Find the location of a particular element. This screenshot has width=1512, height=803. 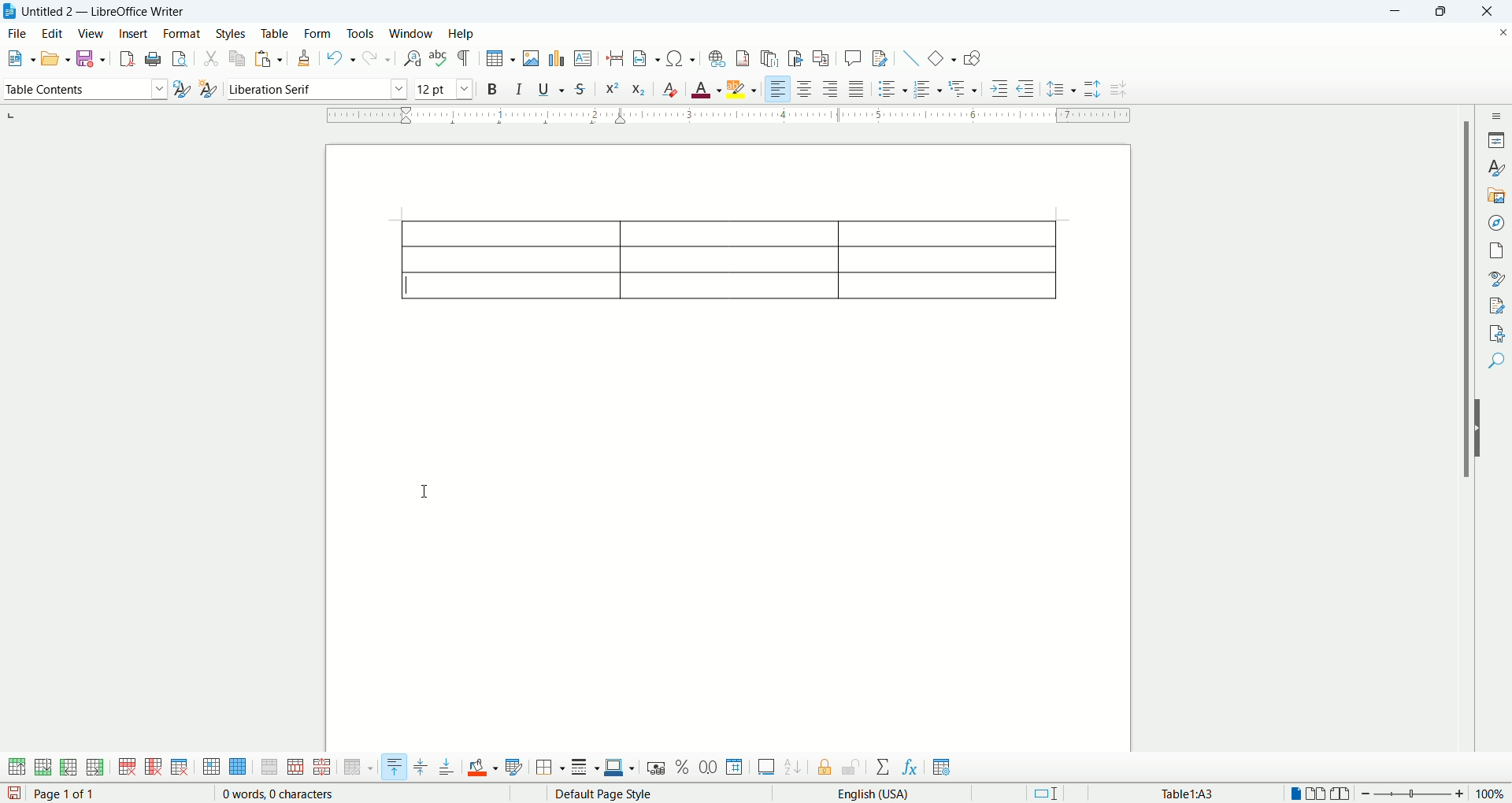

clear formating is located at coordinates (668, 89).